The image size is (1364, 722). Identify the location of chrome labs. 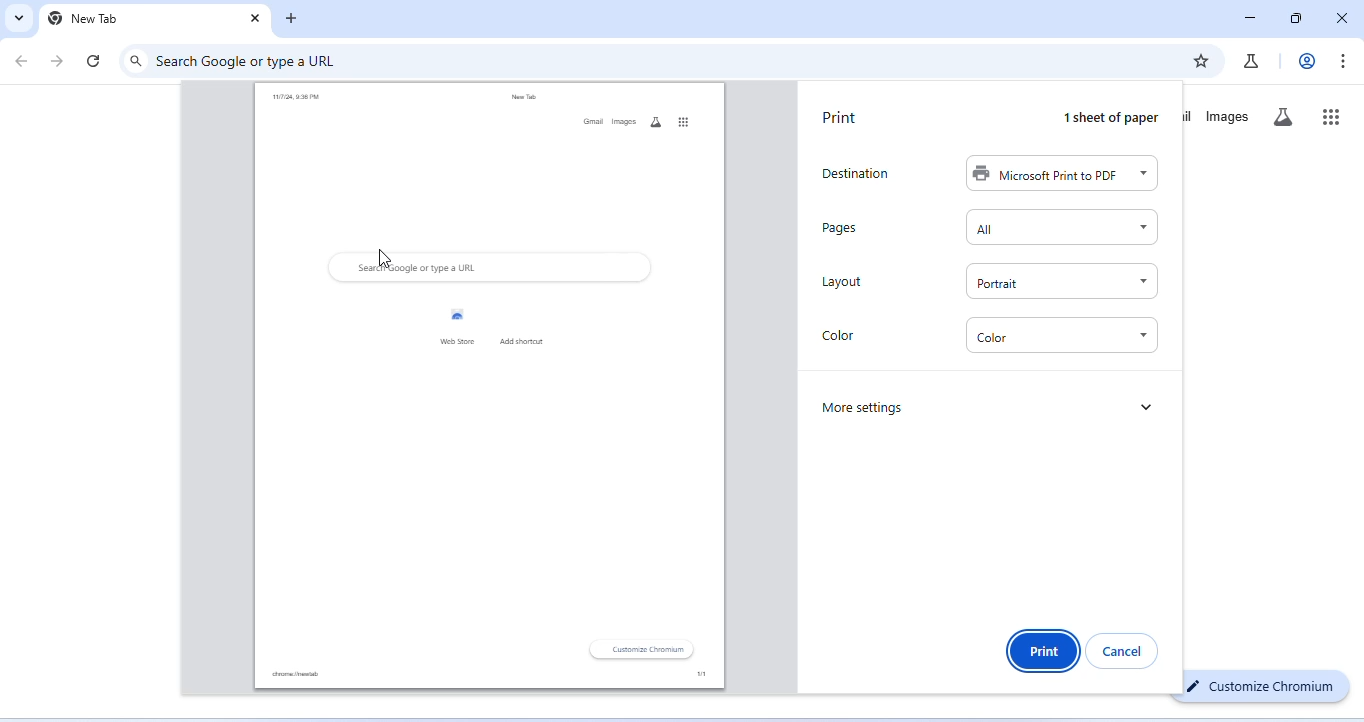
(1251, 60).